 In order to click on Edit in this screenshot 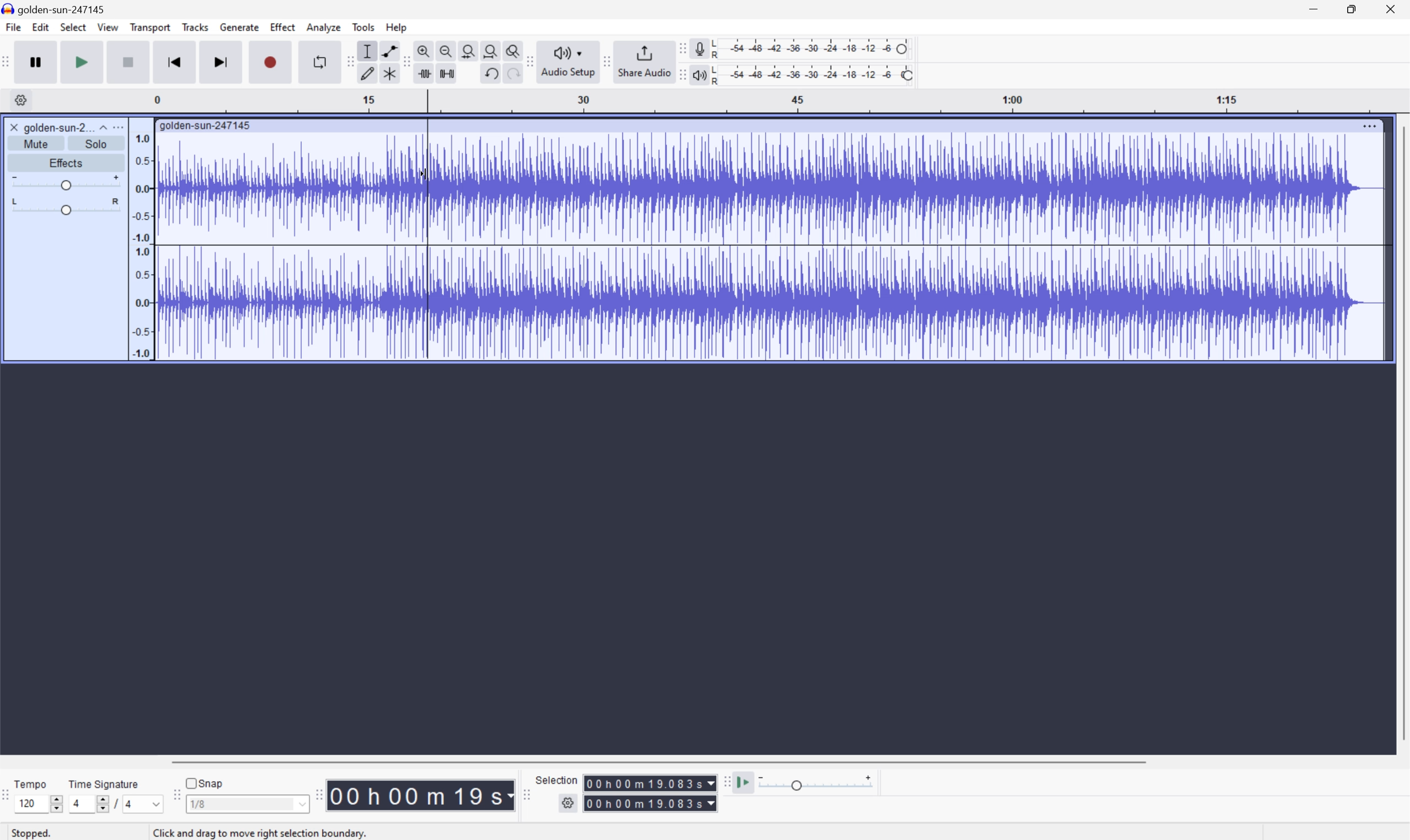, I will do `click(41, 28)`.